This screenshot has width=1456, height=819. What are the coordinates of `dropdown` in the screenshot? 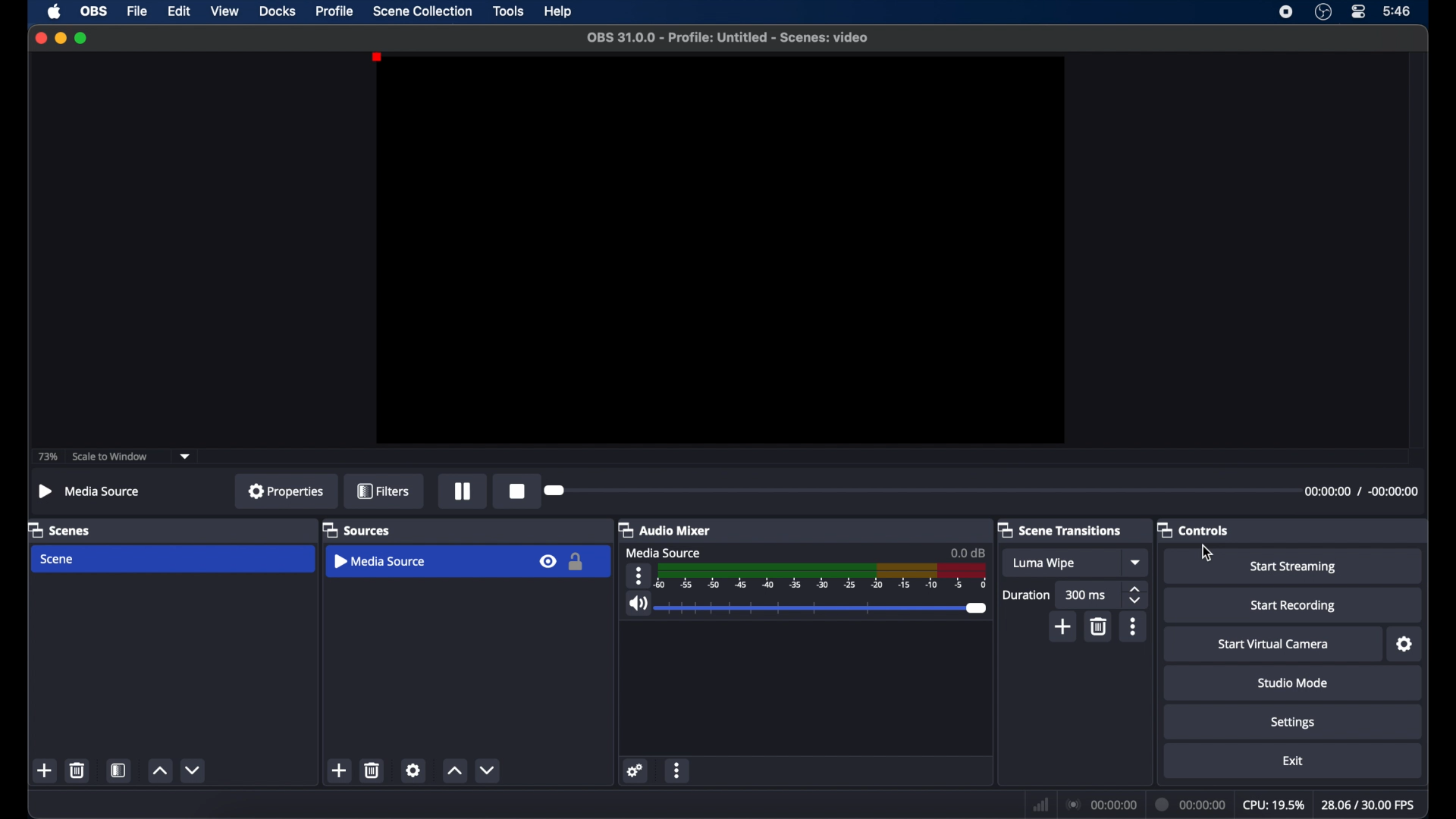 It's located at (1137, 563).